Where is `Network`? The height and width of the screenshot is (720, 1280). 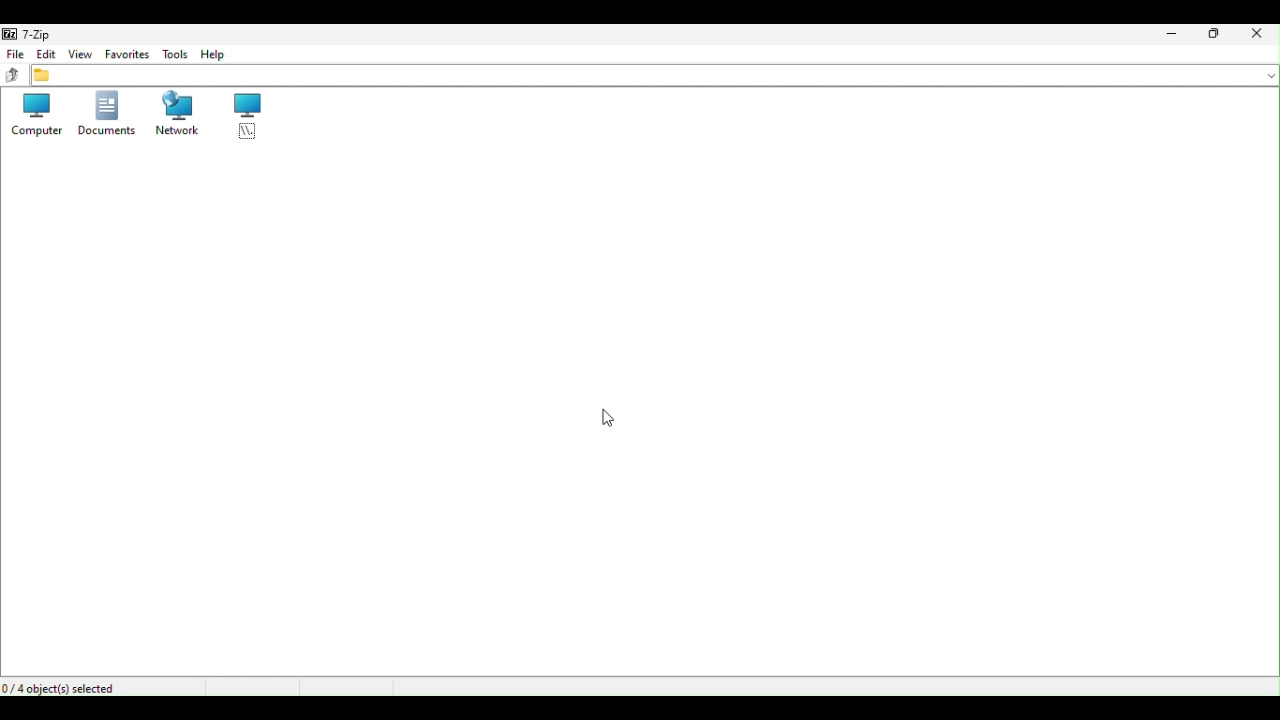 Network is located at coordinates (175, 113).